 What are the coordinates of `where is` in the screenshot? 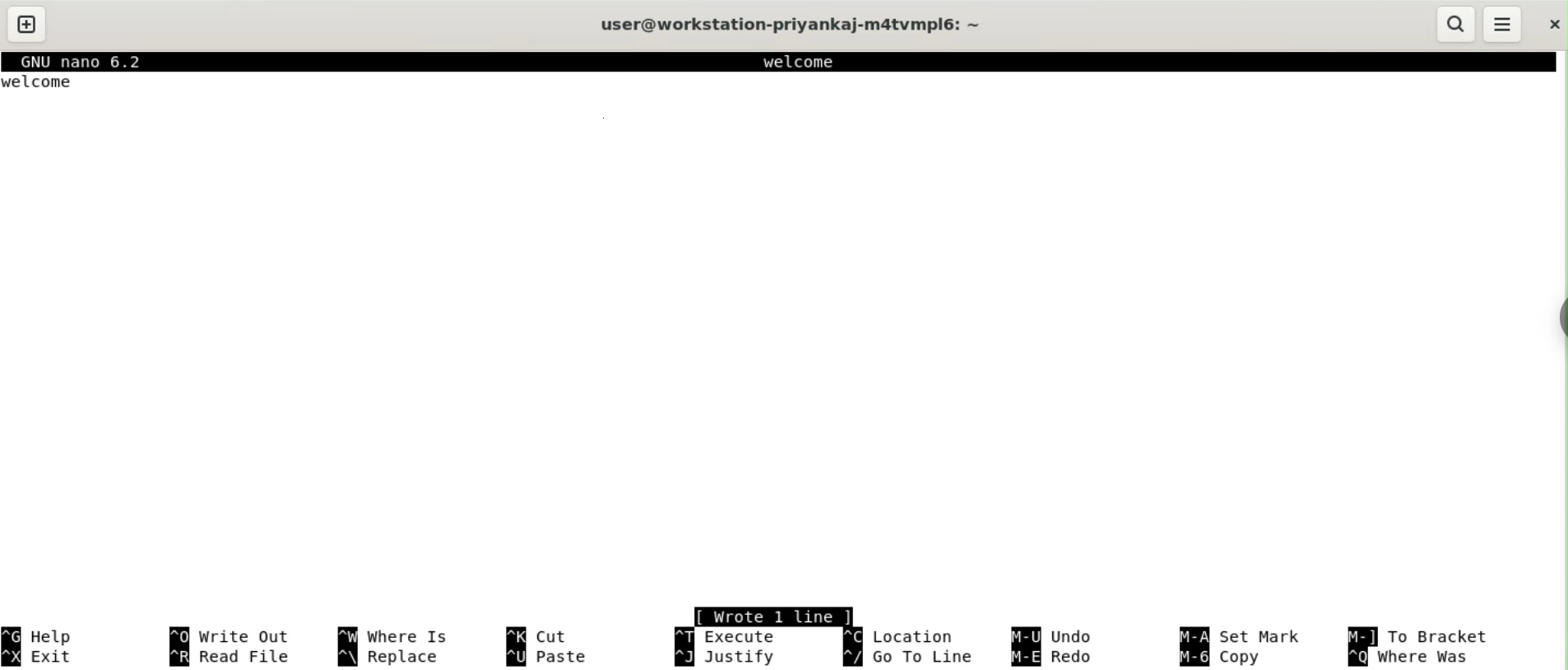 It's located at (391, 635).